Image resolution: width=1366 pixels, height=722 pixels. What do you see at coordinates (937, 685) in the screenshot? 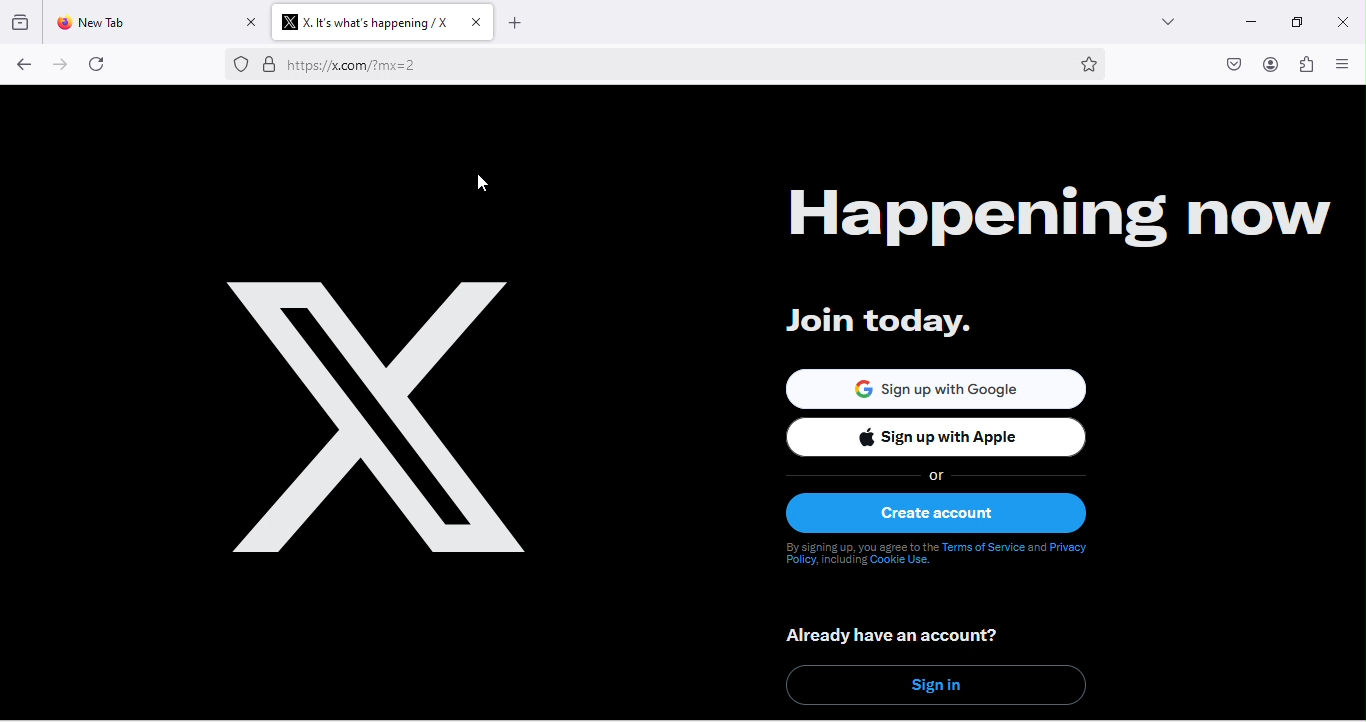
I see `sign in` at bounding box center [937, 685].